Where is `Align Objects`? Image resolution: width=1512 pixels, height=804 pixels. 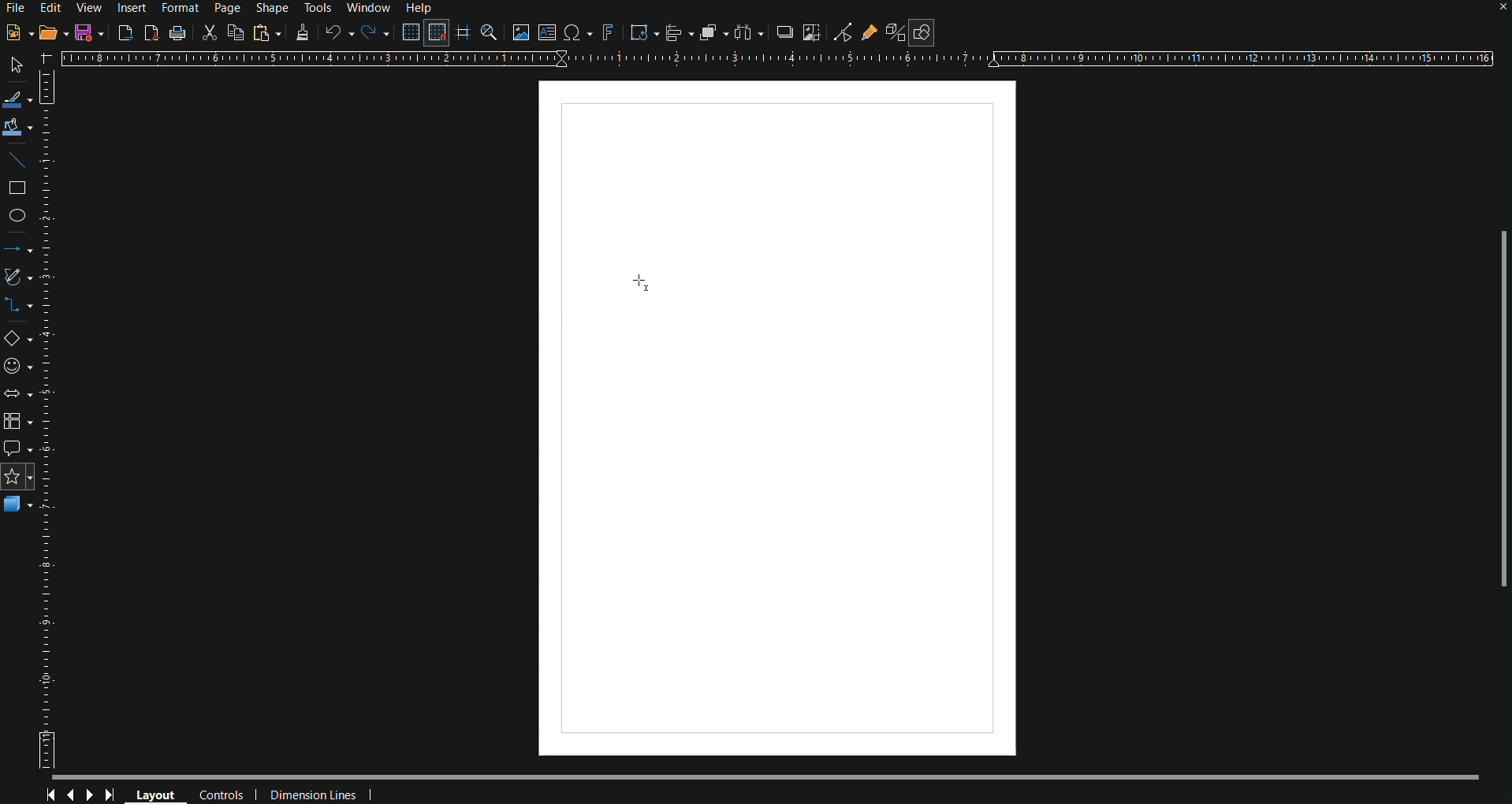
Align Objects is located at coordinates (676, 35).